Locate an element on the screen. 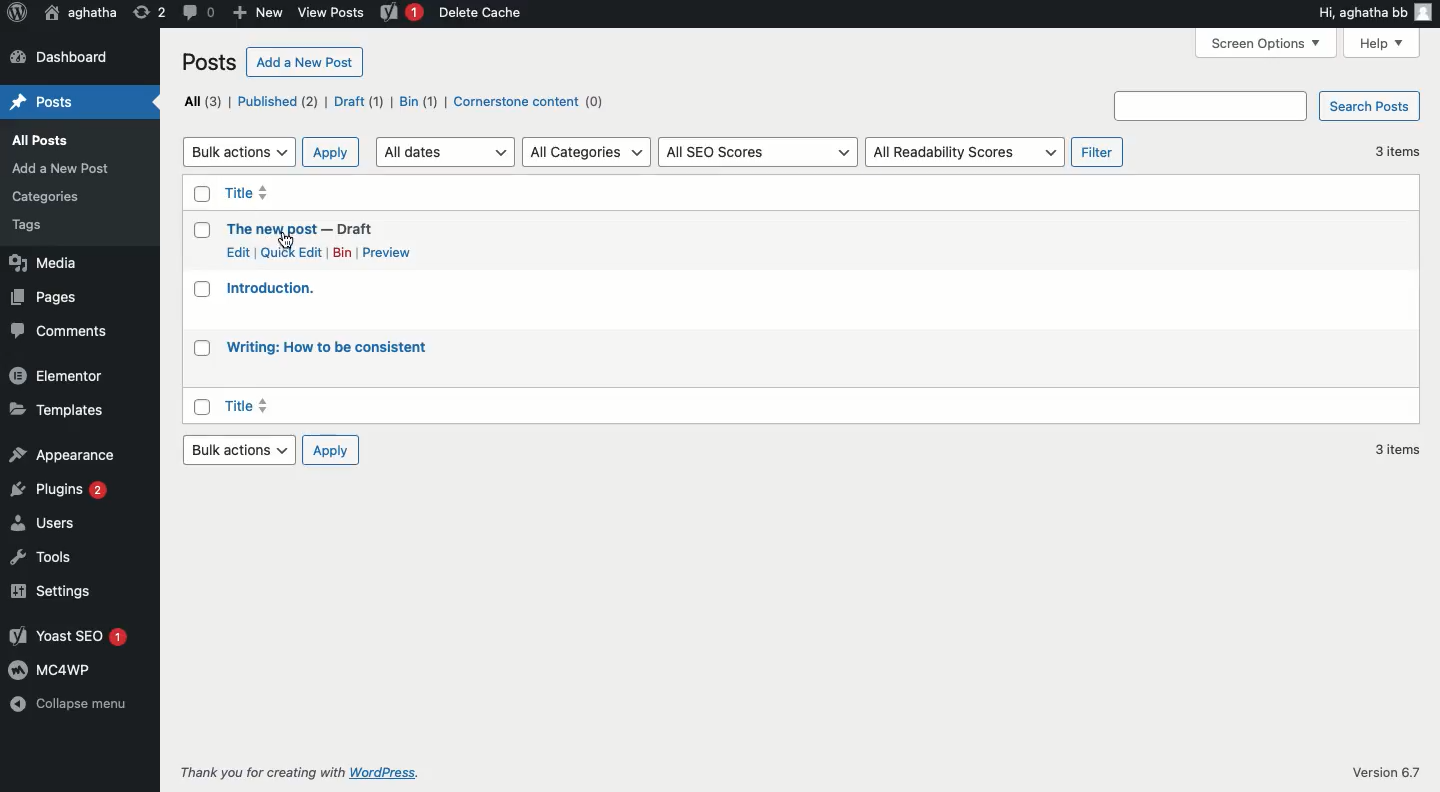  Introduction. is located at coordinates (270, 286).